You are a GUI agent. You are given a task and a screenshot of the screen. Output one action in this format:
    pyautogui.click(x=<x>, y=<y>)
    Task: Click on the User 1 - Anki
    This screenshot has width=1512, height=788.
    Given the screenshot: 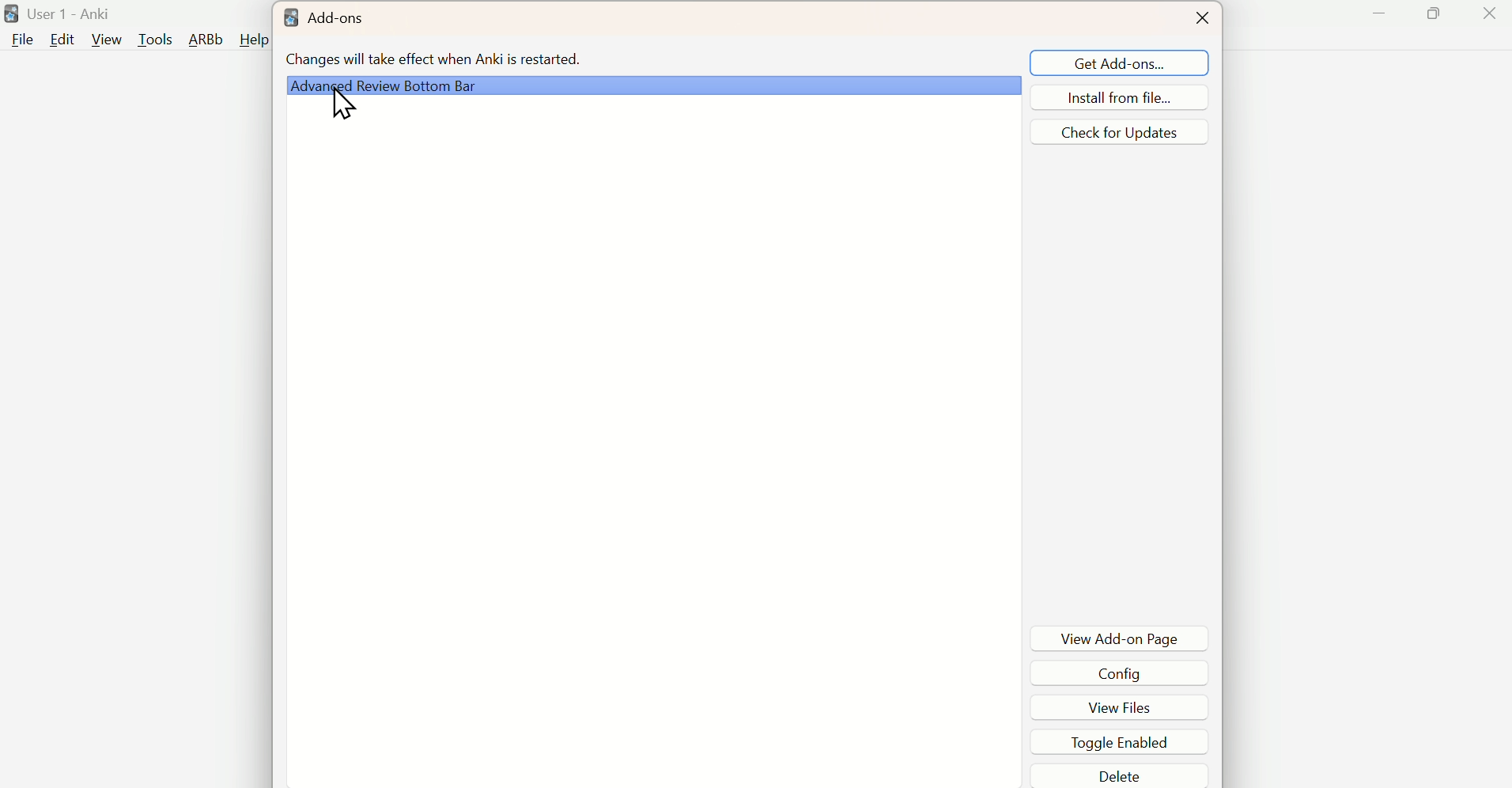 What is the action you would take?
    pyautogui.click(x=70, y=14)
    